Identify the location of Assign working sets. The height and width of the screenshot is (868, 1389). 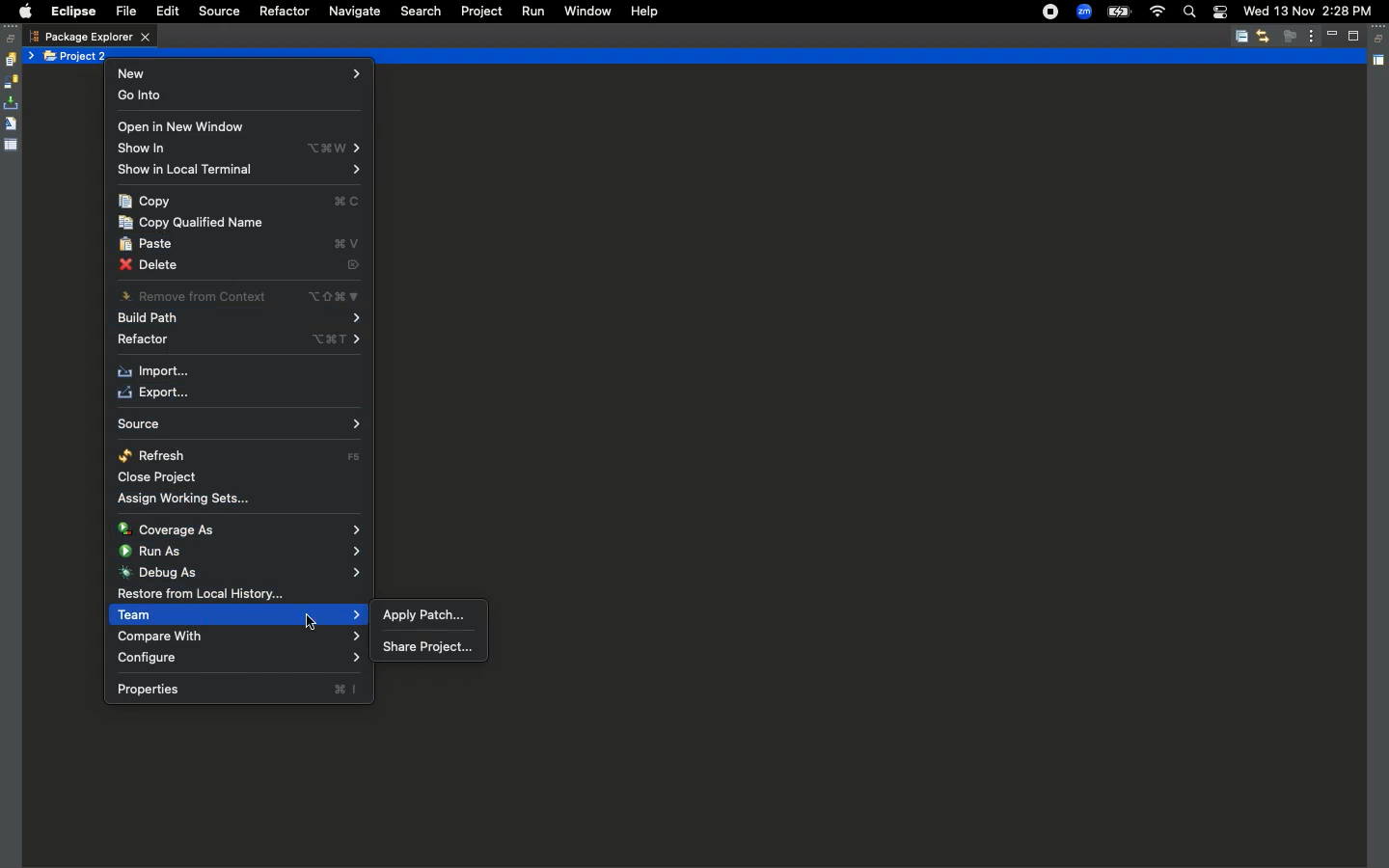
(190, 498).